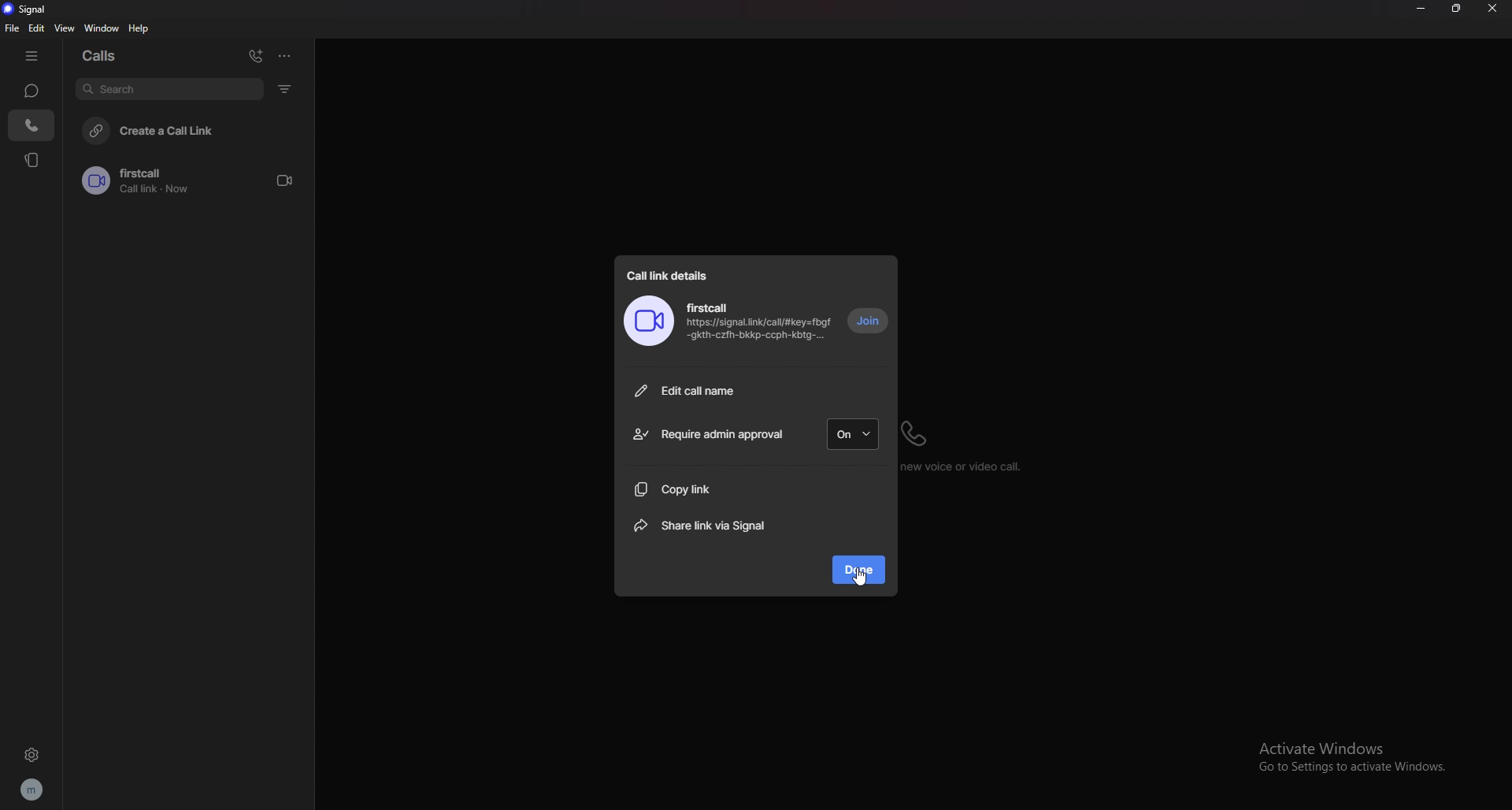  What do you see at coordinates (65, 28) in the screenshot?
I see `view` at bounding box center [65, 28].